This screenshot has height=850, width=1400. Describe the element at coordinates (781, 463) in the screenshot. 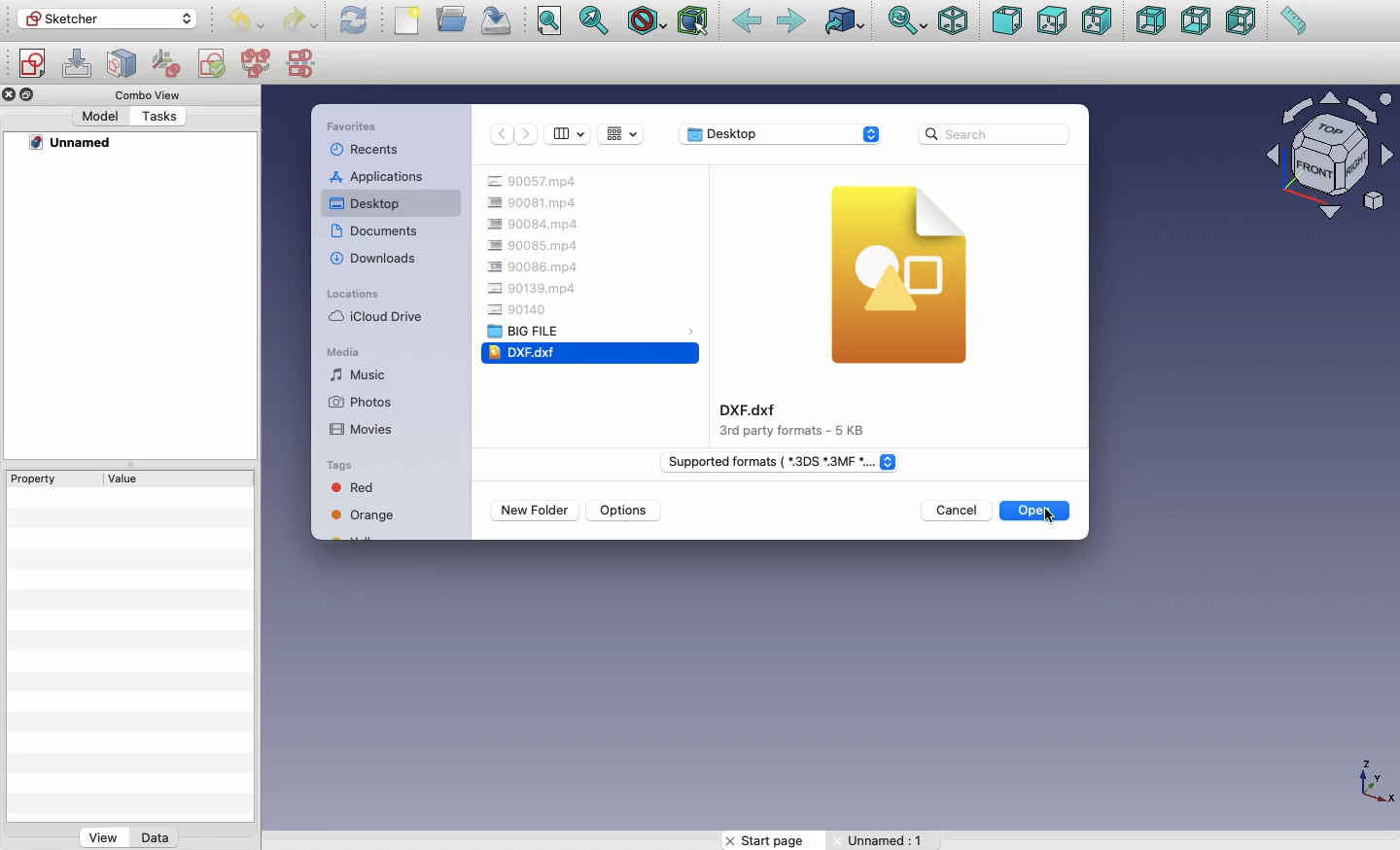

I see `File type` at that location.